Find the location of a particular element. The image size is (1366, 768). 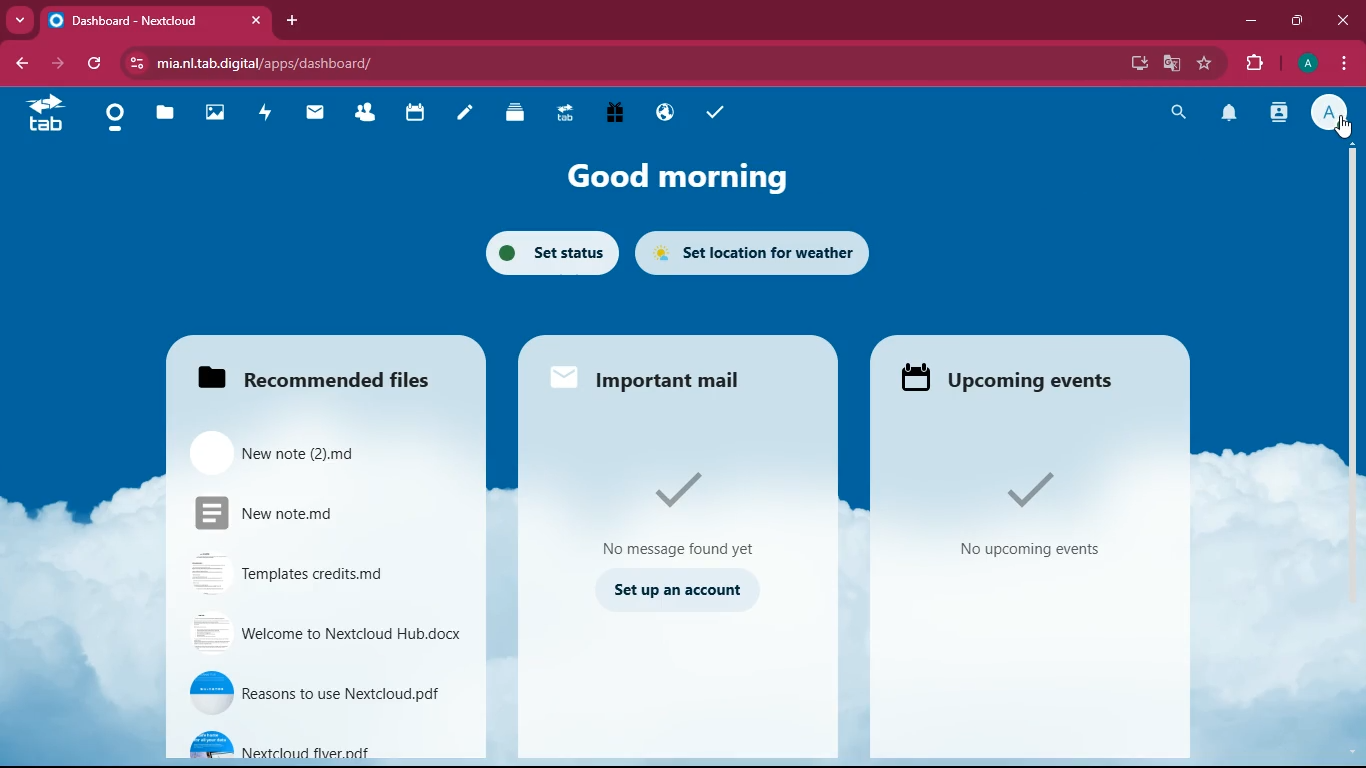

activity is located at coordinates (1280, 114).